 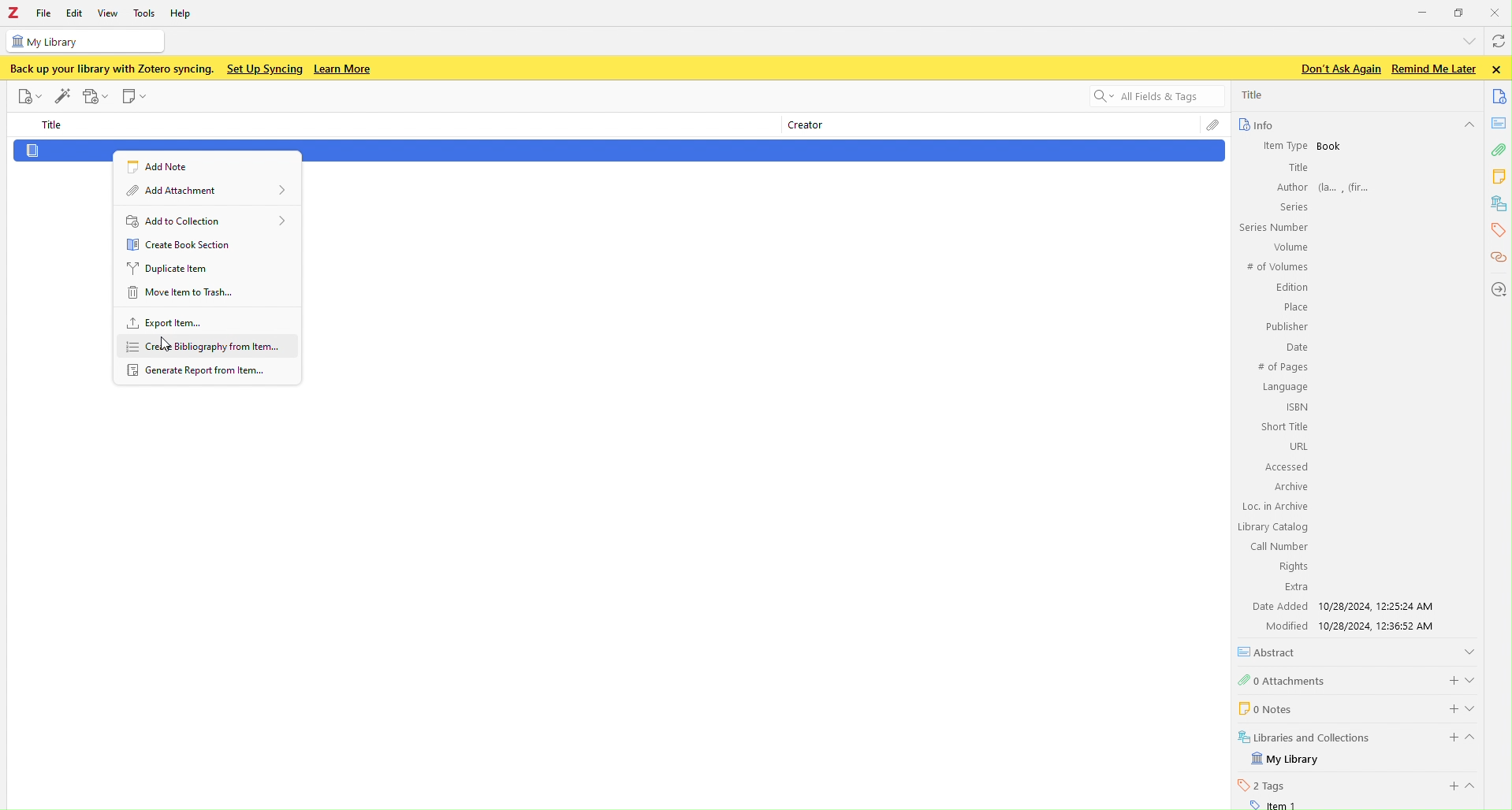 I want to click on add, so click(x=1451, y=786).